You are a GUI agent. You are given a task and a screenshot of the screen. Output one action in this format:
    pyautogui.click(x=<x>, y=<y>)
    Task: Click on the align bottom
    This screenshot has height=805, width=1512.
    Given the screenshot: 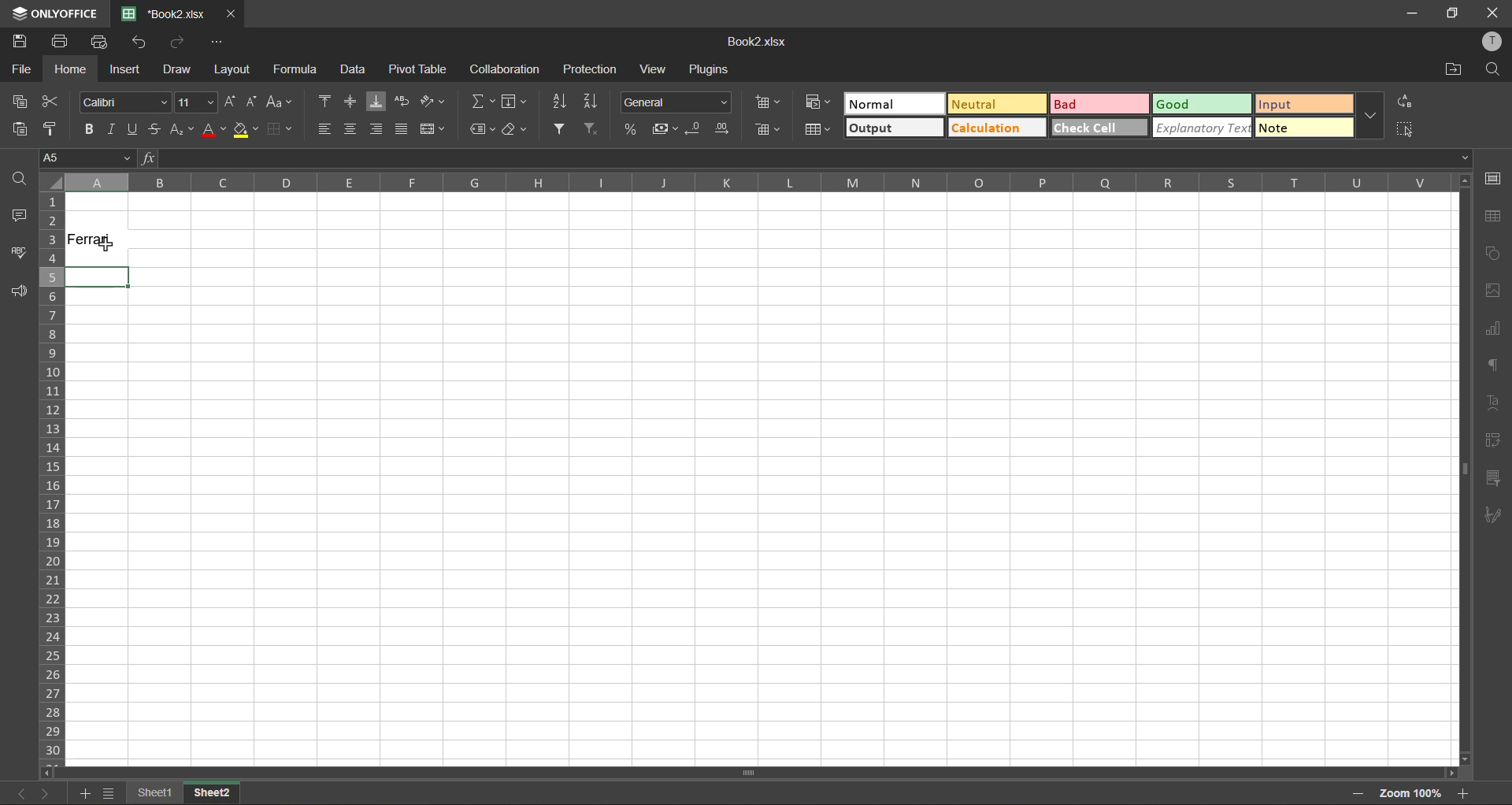 What is the action you would take?
    pyautogui.click(x=378, y=101)
    